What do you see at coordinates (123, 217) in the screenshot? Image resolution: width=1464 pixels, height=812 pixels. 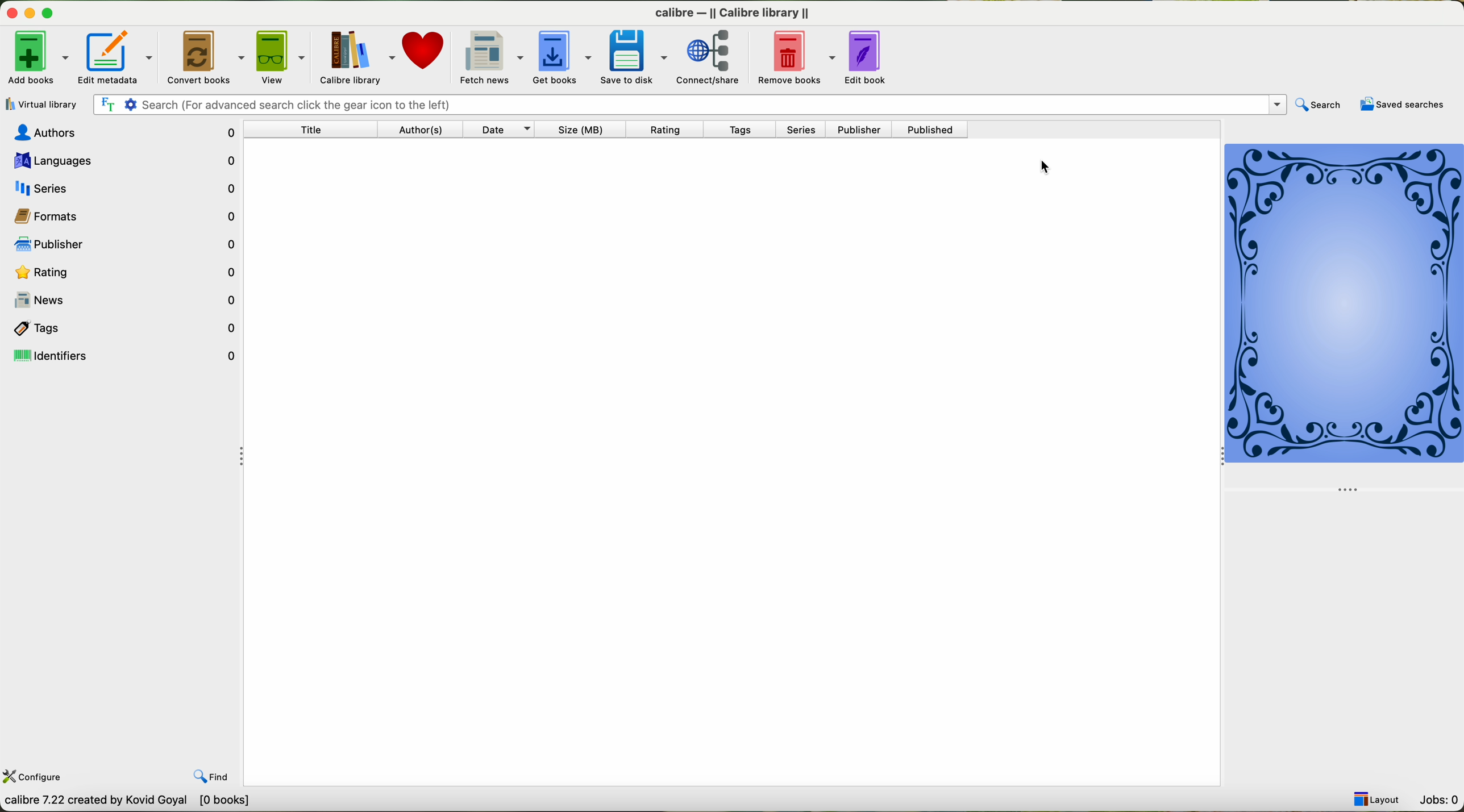 I see `formats` at bounding box center [123, 217].